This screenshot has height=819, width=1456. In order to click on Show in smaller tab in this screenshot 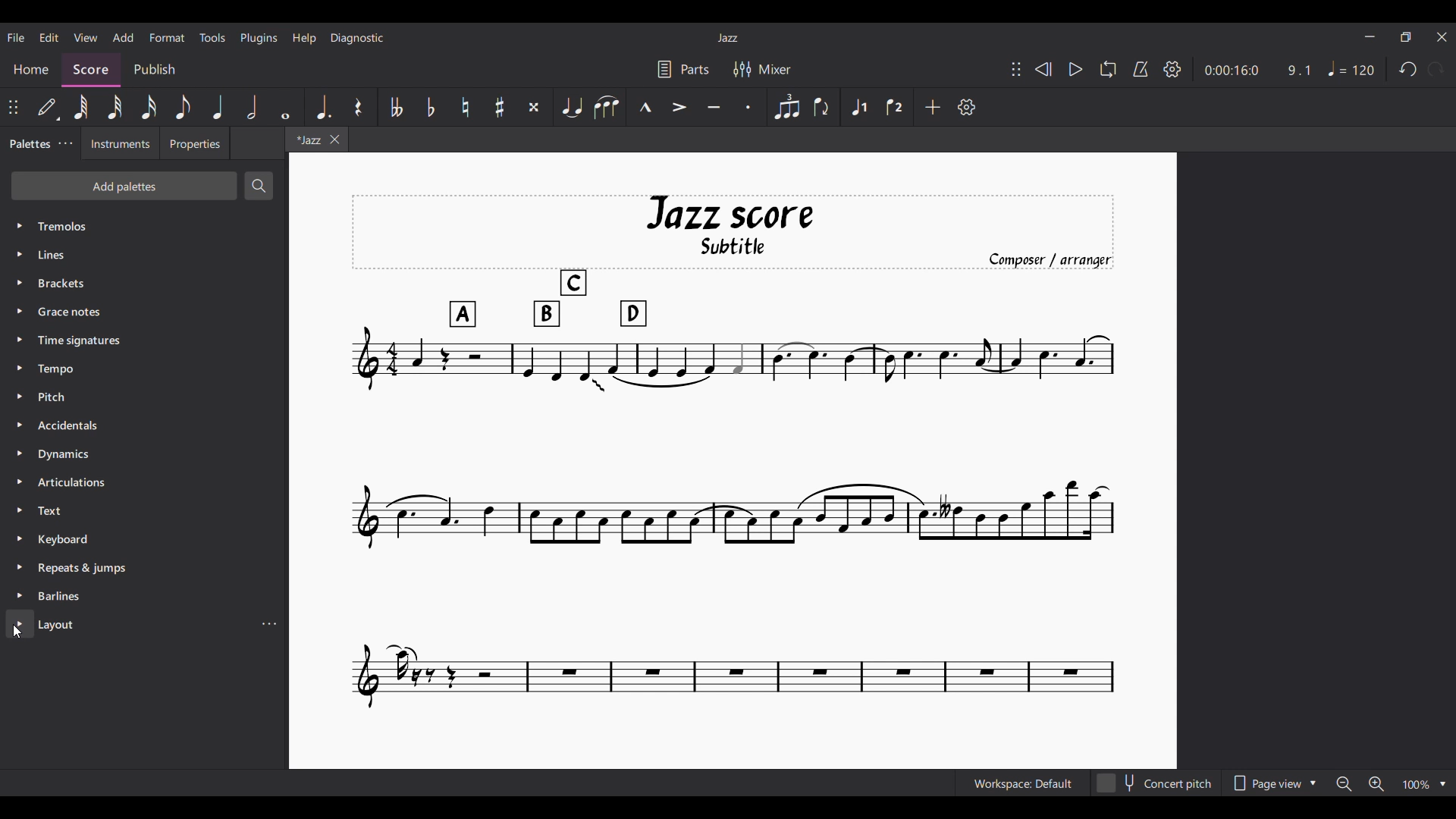, I will do `click(1406, 37)`.